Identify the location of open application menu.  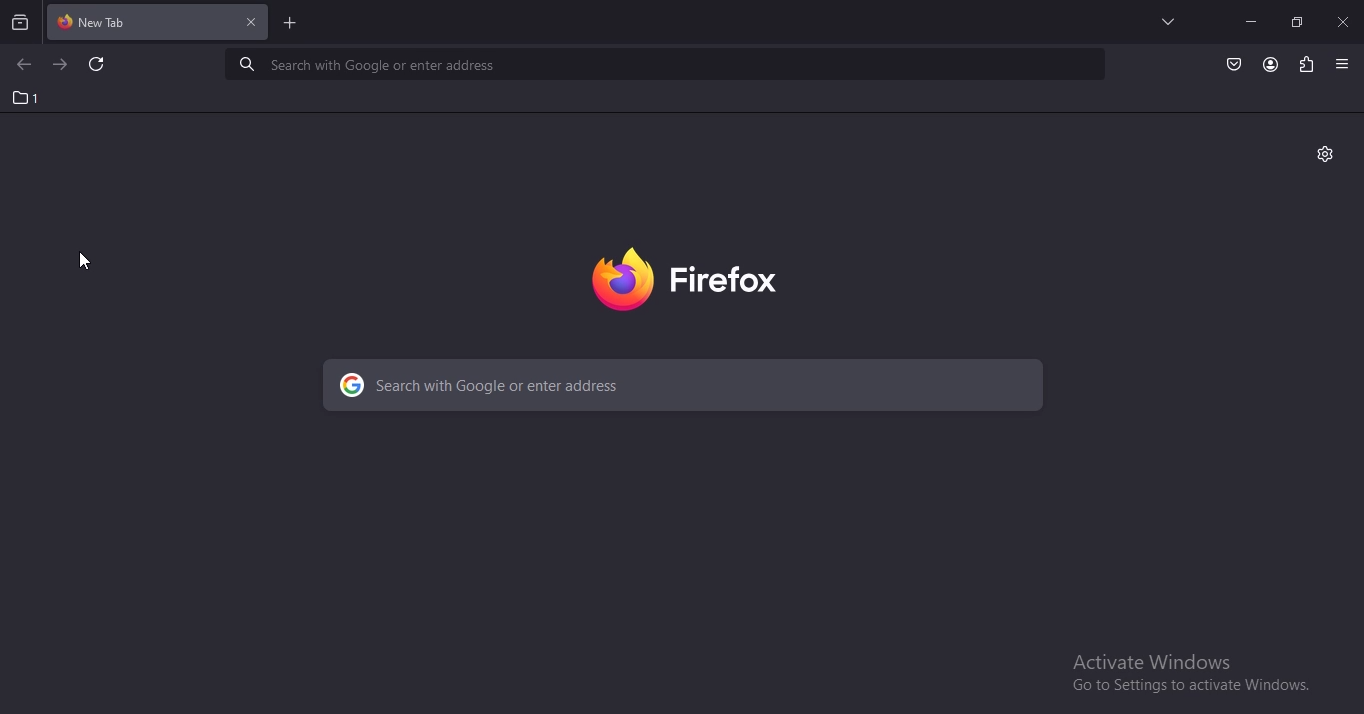
(1342, 65).